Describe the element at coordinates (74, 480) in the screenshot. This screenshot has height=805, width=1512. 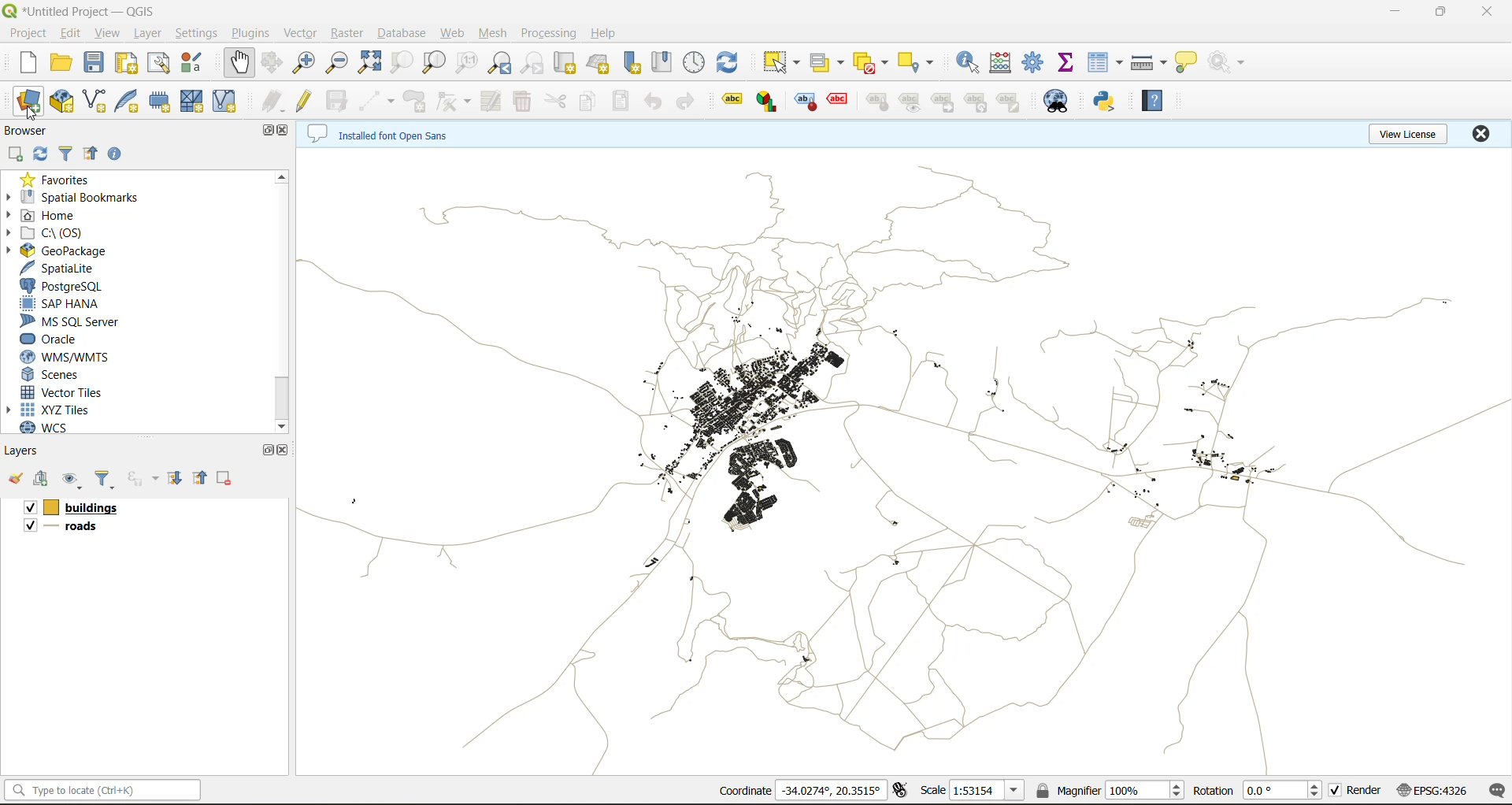
I see `manage map` at that location.